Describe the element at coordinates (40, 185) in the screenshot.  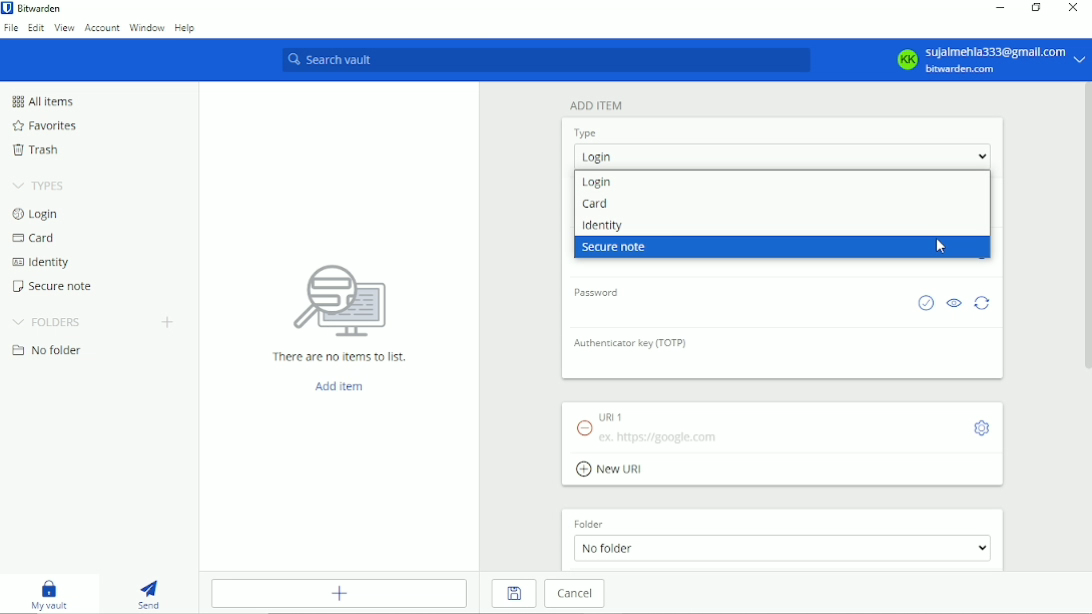
I see `Types` at that location.